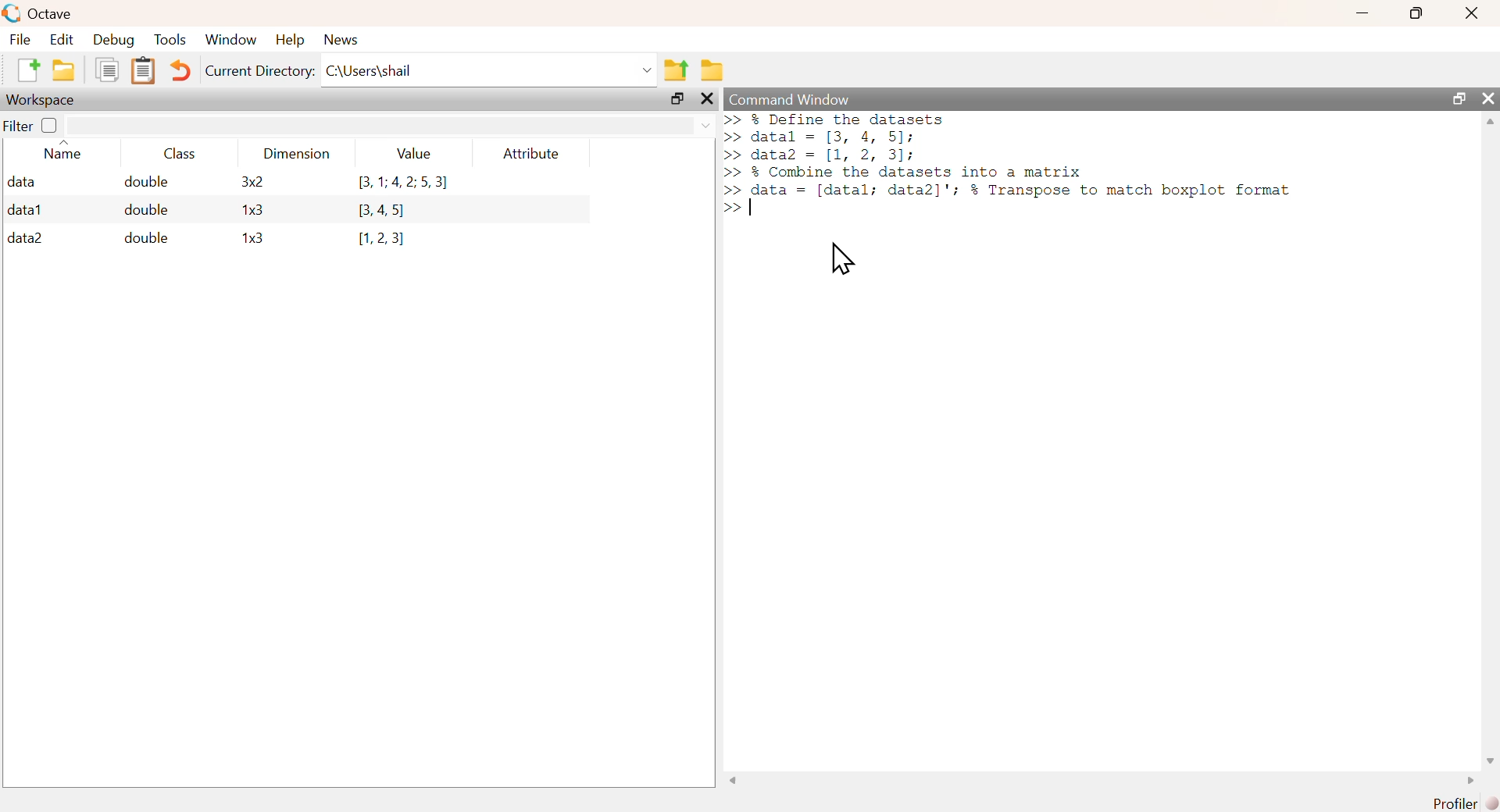 This screenshot has height=812, width=1500. I want to click on >> % Define the datasets

>> datal = [3, 4, 5];

>> data2 = [1, 2, 3];

>> % Combine the datasets into a matrix

>> fee = [datal; data2]'; % Transpose to match boxplot format
>>, so click(1014, 166).